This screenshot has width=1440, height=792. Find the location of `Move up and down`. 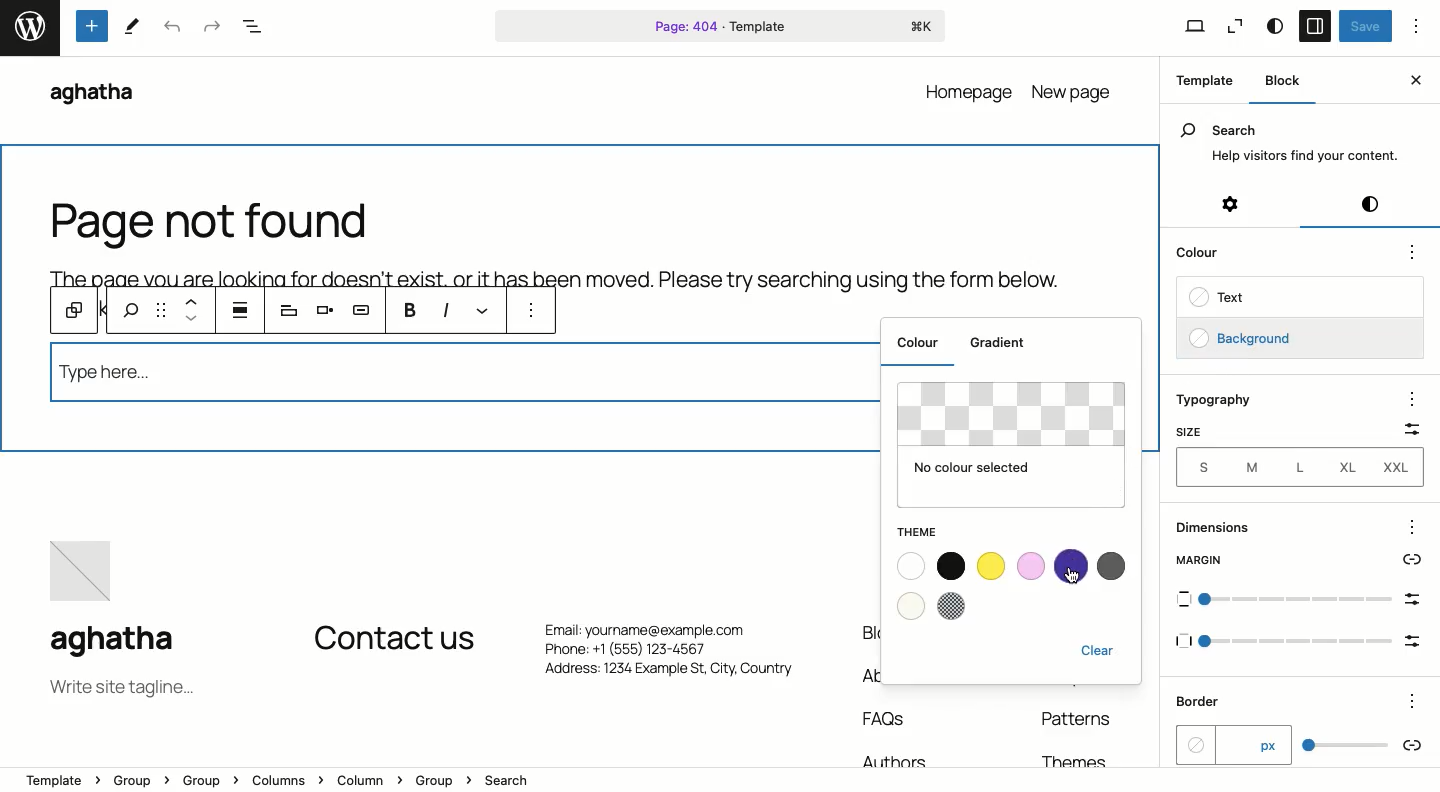

Move up and down is located at coordinates (190, 313).